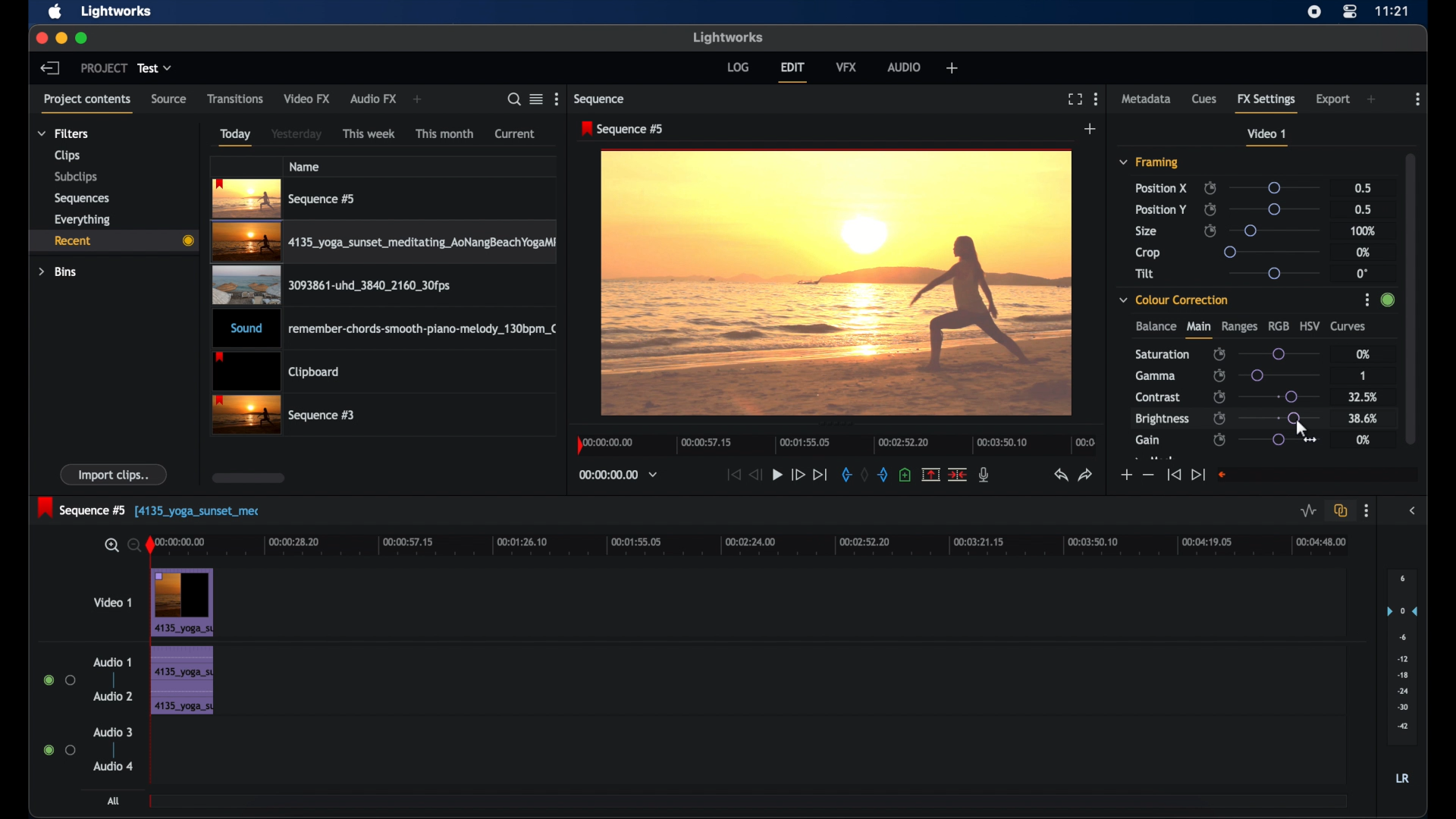 This screenshot has height=819, width=1456. Describe the element at coordinates (444, 133) in the screenshot. I see `this month` at that location.